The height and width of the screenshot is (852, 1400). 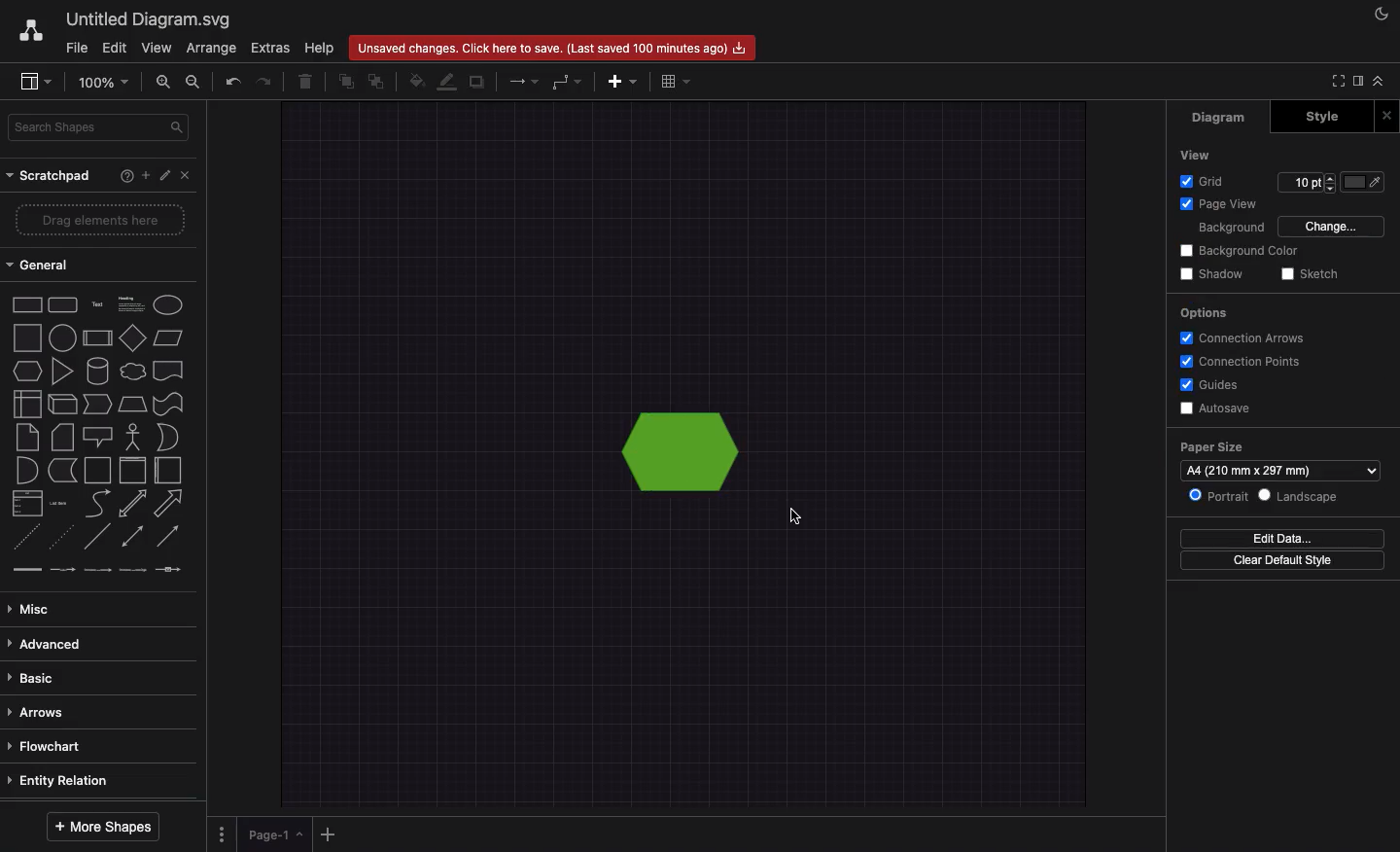 I want to click on Waypoints, so click(x=569, y=82).